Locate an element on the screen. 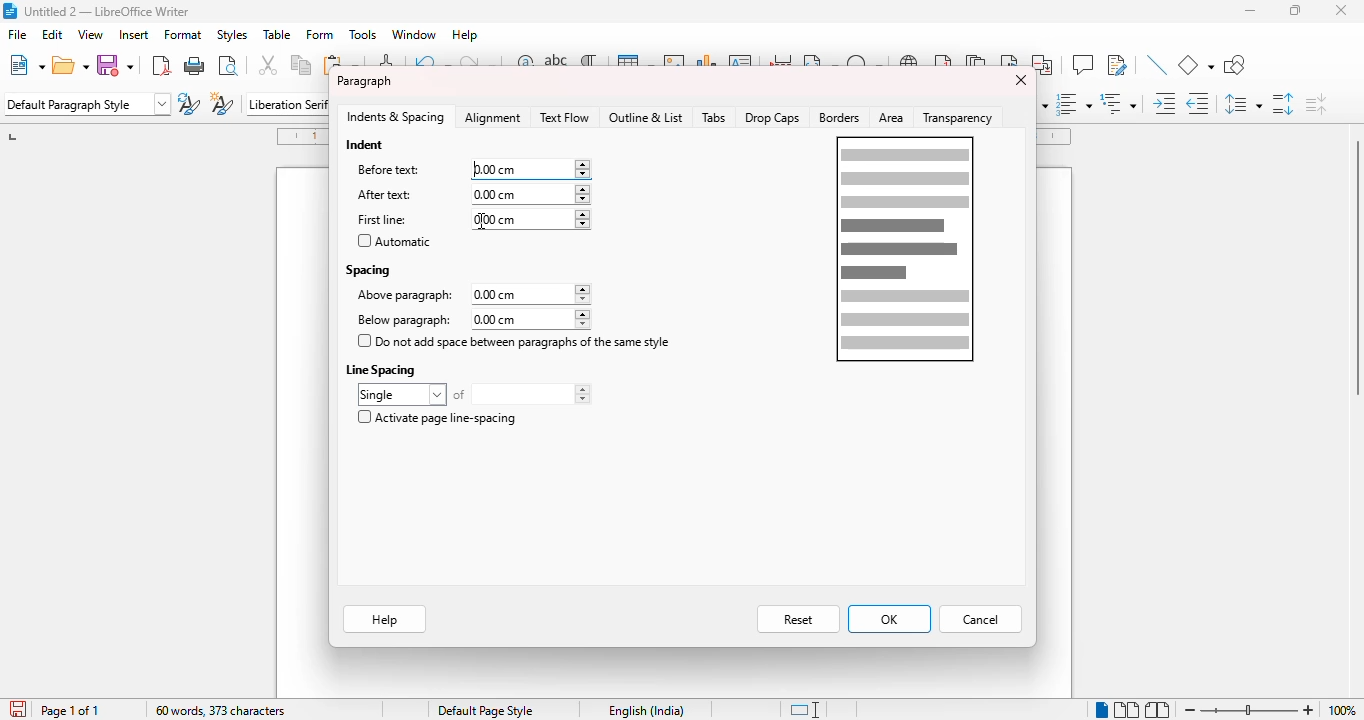  print is located at coordinates (195, 64).